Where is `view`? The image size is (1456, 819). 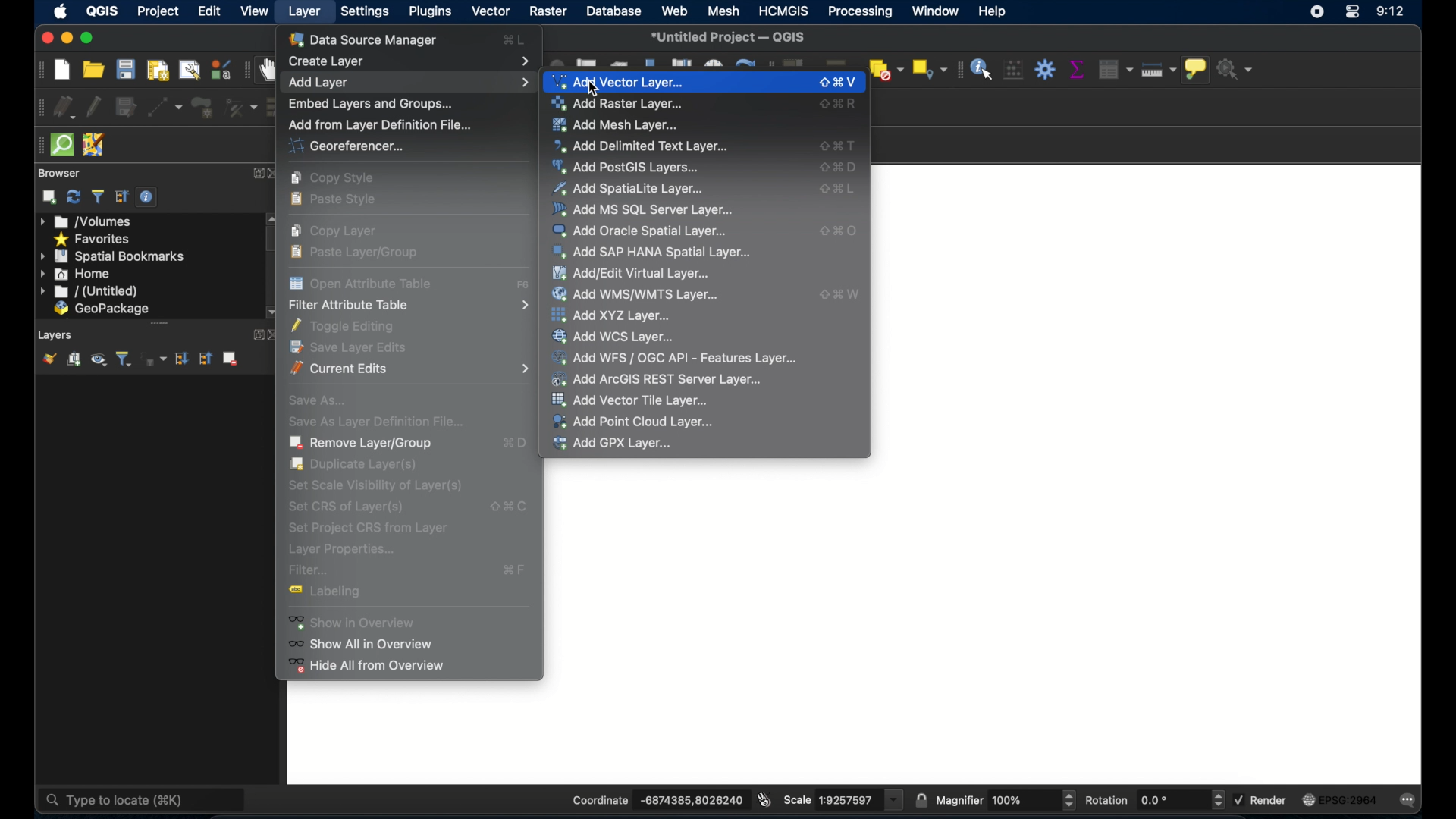
view is located at coordinates (256, 11).